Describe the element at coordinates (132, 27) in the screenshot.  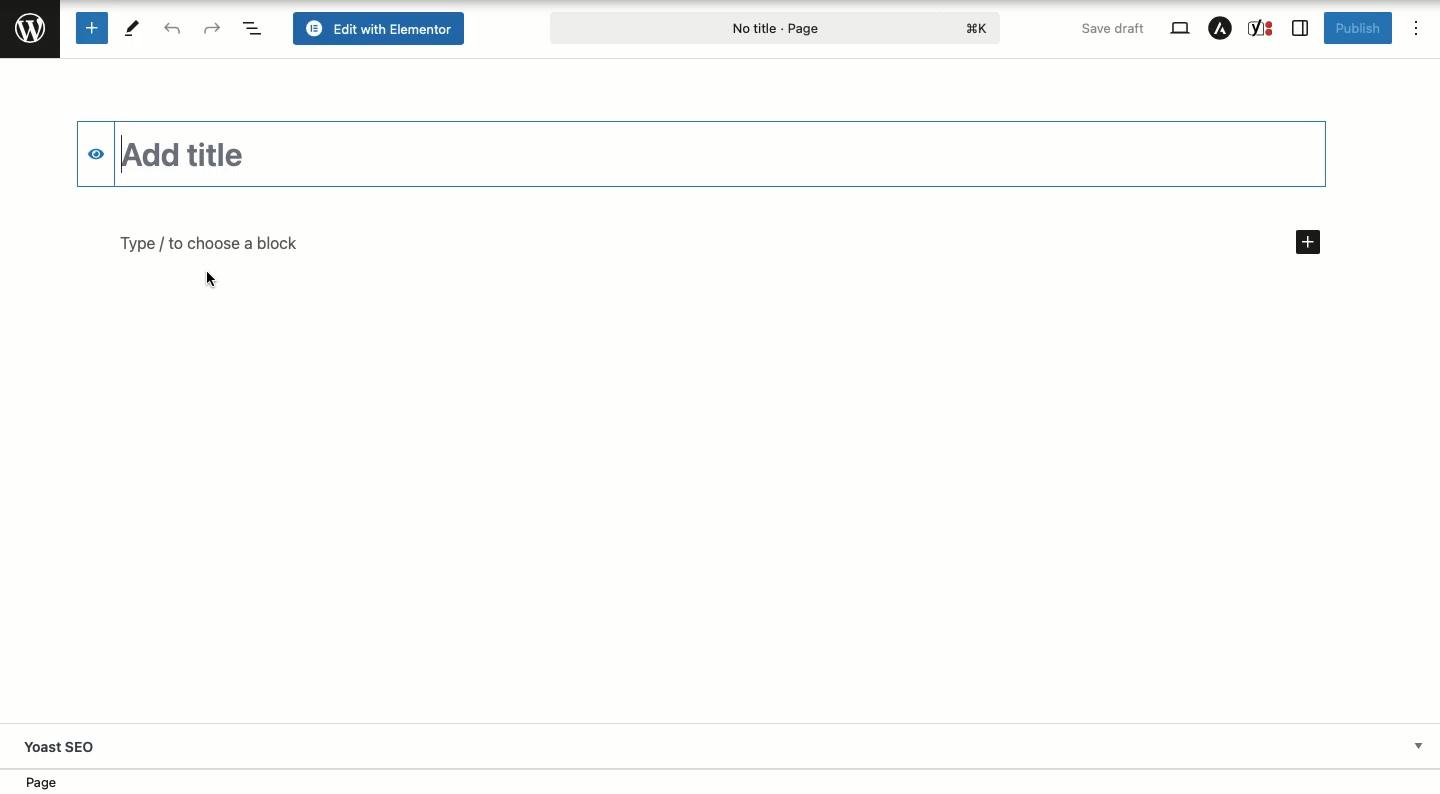
I see `Tools` at that location.